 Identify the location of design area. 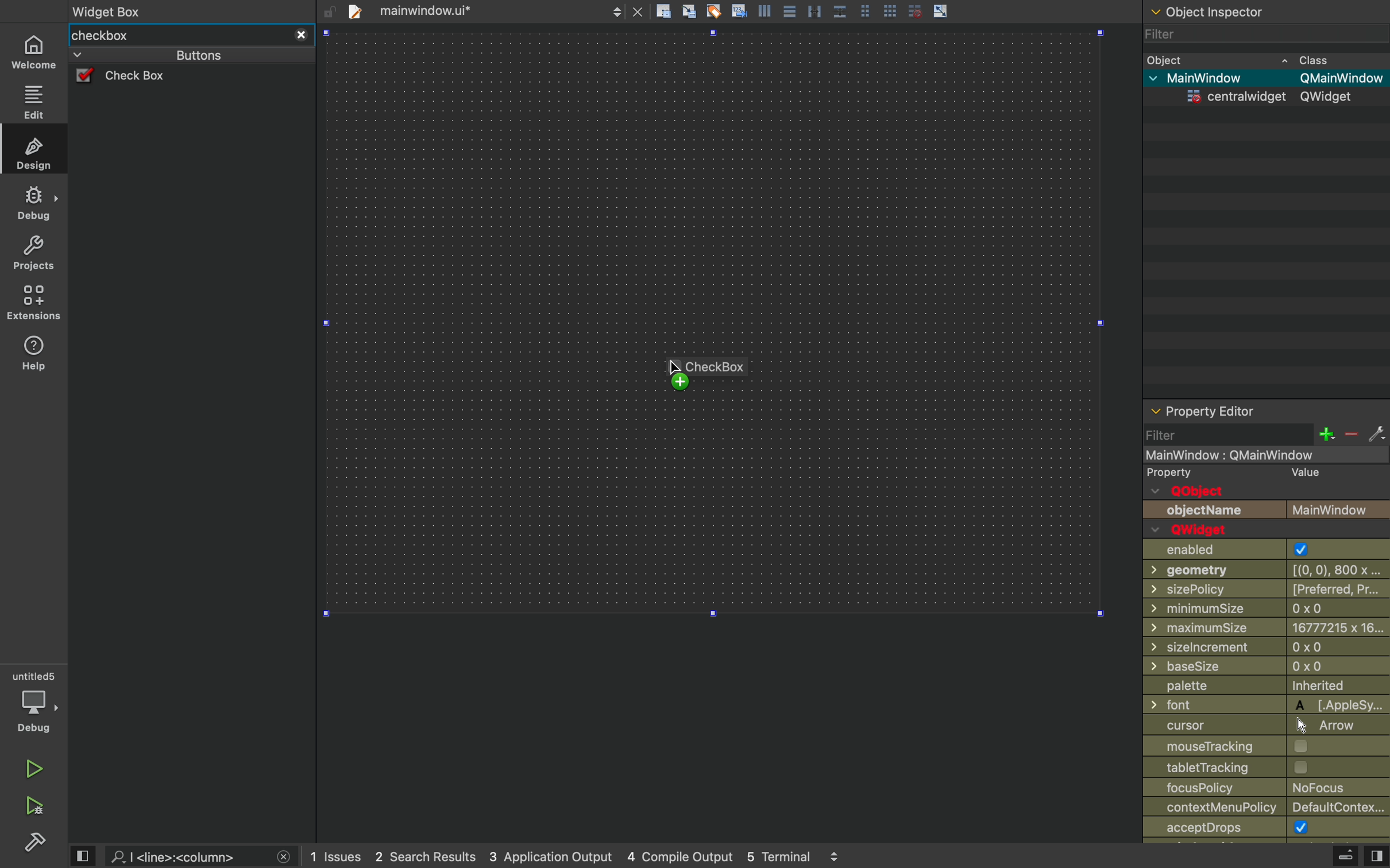
(713, 323).